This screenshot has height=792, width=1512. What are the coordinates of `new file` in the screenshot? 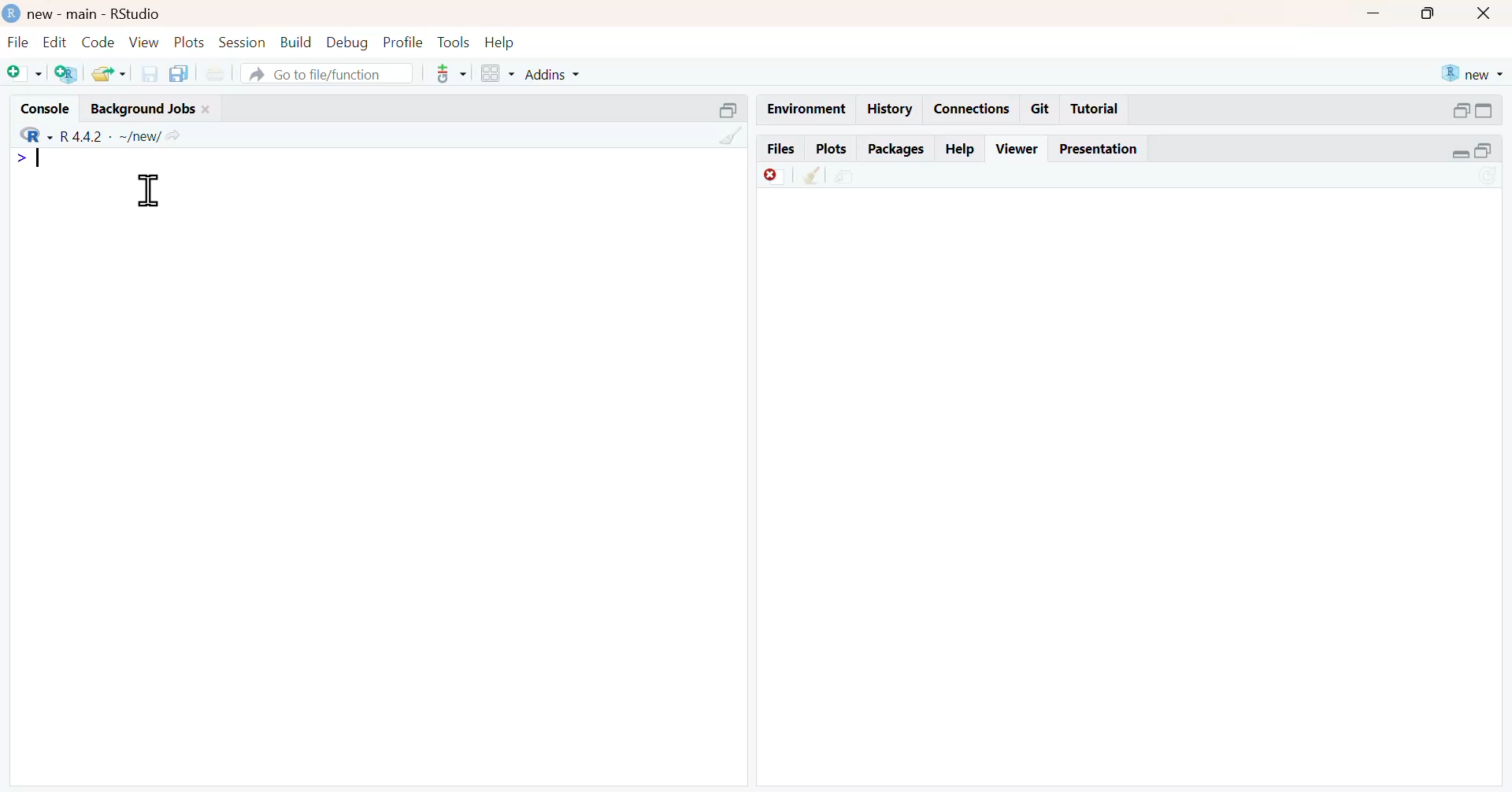 It's located at (23, 72).